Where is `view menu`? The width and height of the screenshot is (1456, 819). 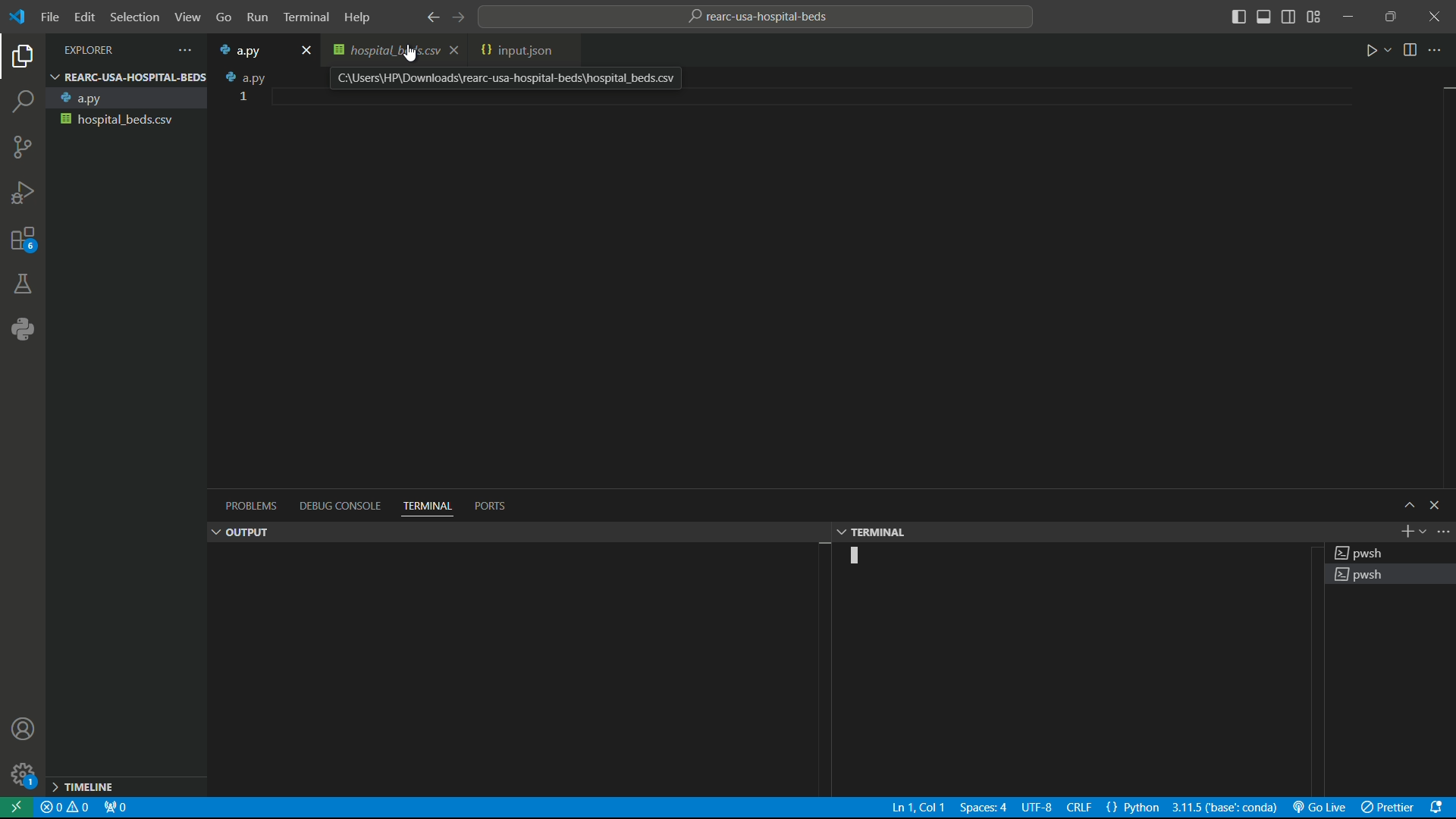 view menu is located at coordinates (187, 17).